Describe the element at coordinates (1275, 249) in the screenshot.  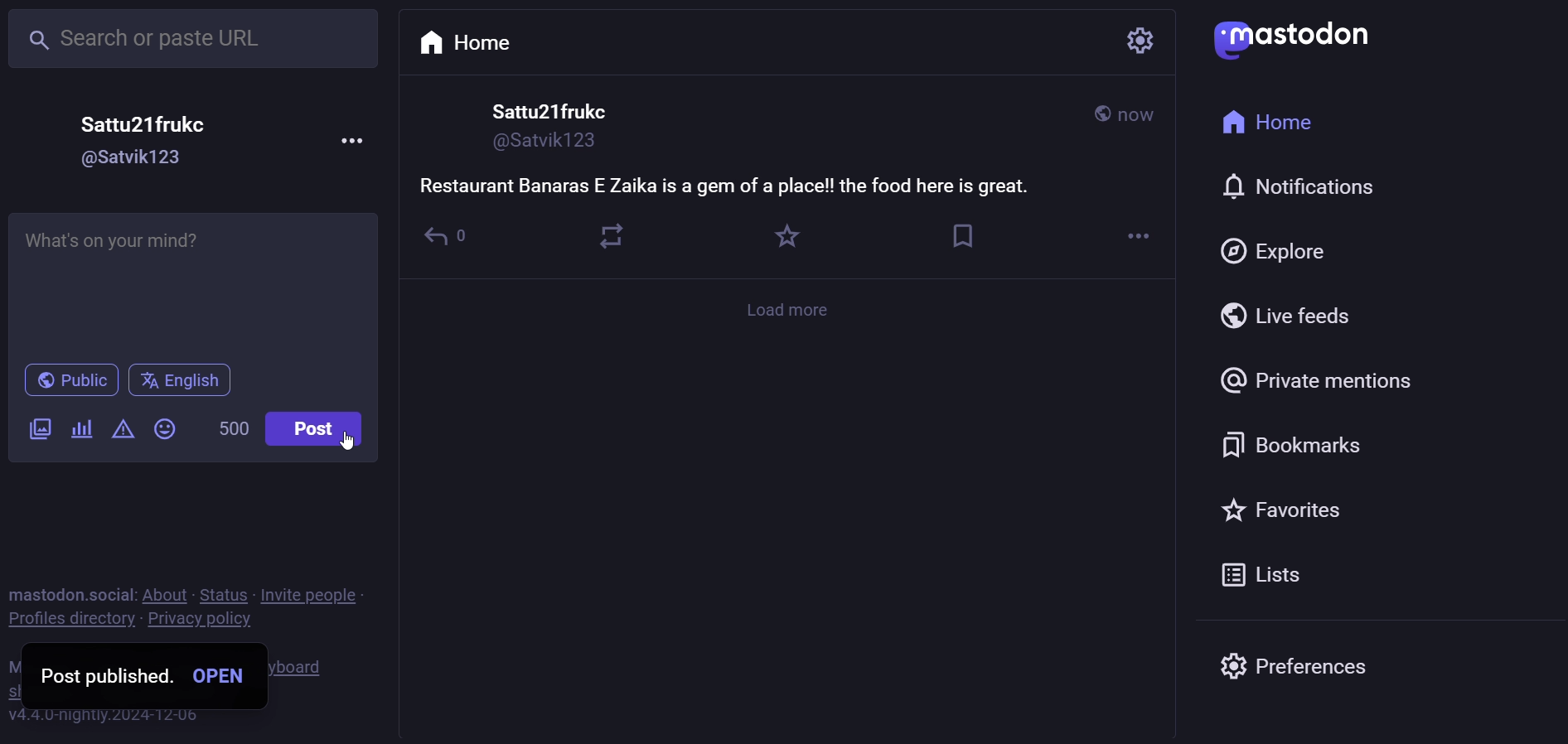
I see `explore` at that location.